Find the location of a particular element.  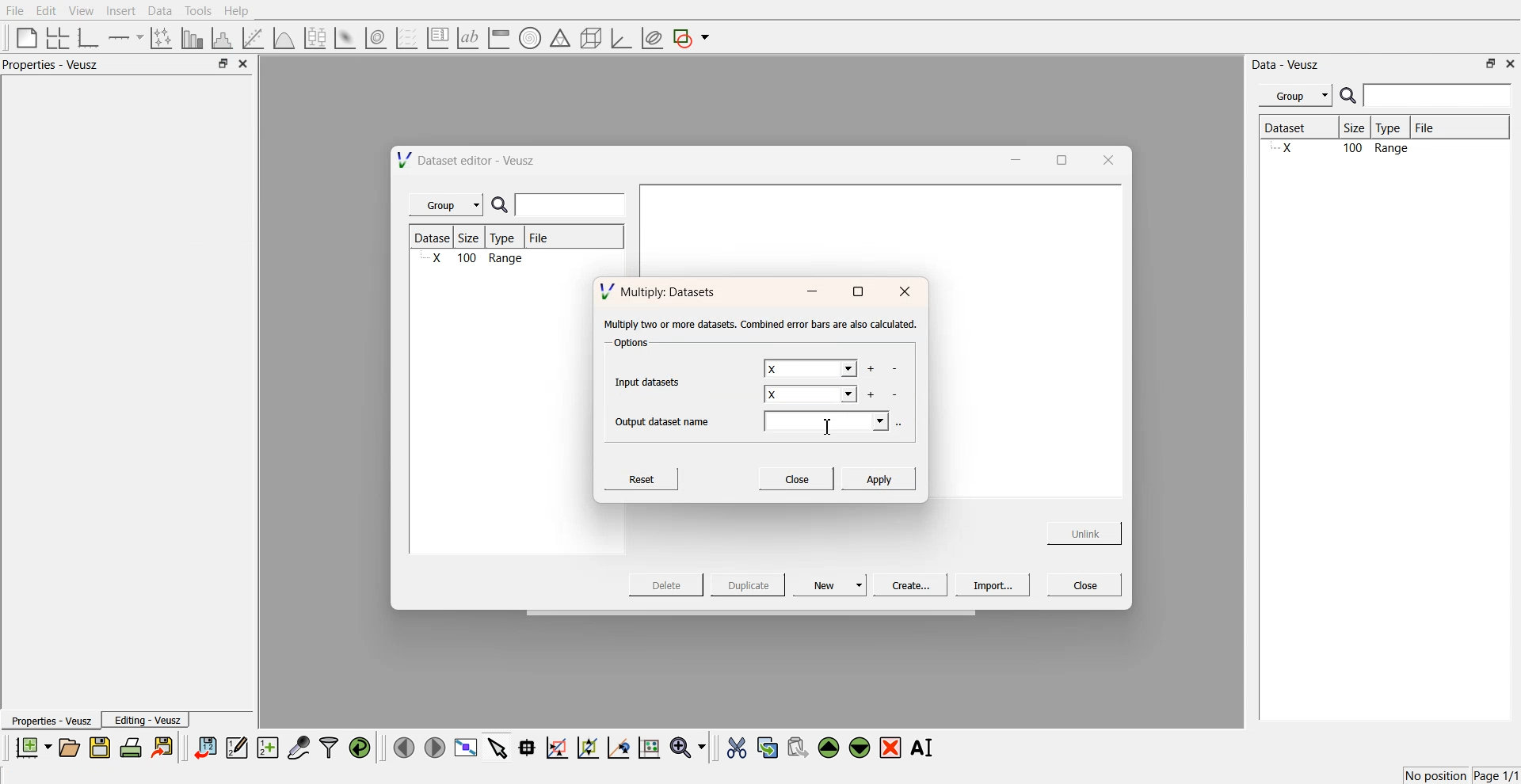

plot key is located at coordinates (437, 38).